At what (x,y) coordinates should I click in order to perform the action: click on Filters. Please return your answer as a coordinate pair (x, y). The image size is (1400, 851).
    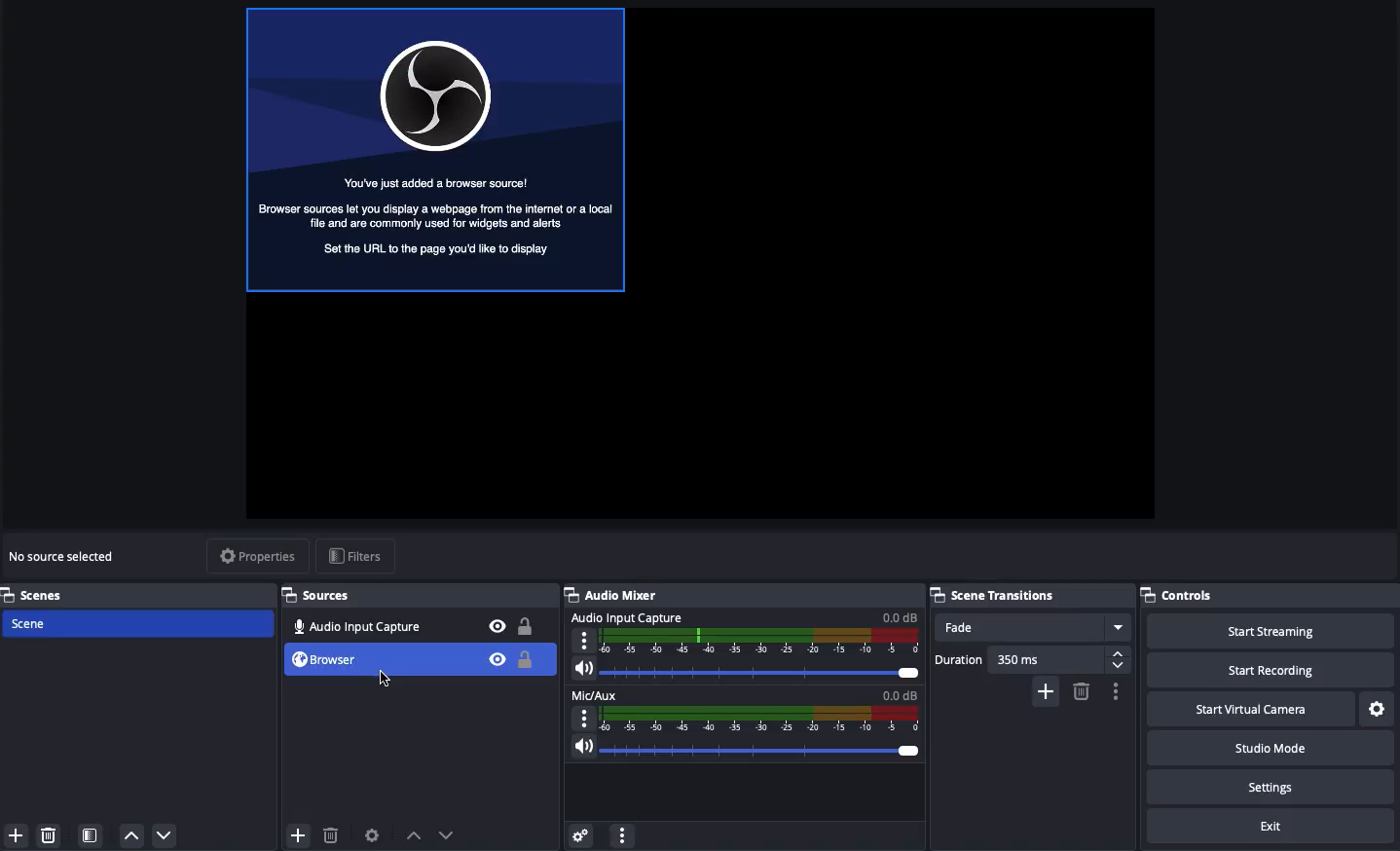
    Looking at the image, I should click on (357, 555).